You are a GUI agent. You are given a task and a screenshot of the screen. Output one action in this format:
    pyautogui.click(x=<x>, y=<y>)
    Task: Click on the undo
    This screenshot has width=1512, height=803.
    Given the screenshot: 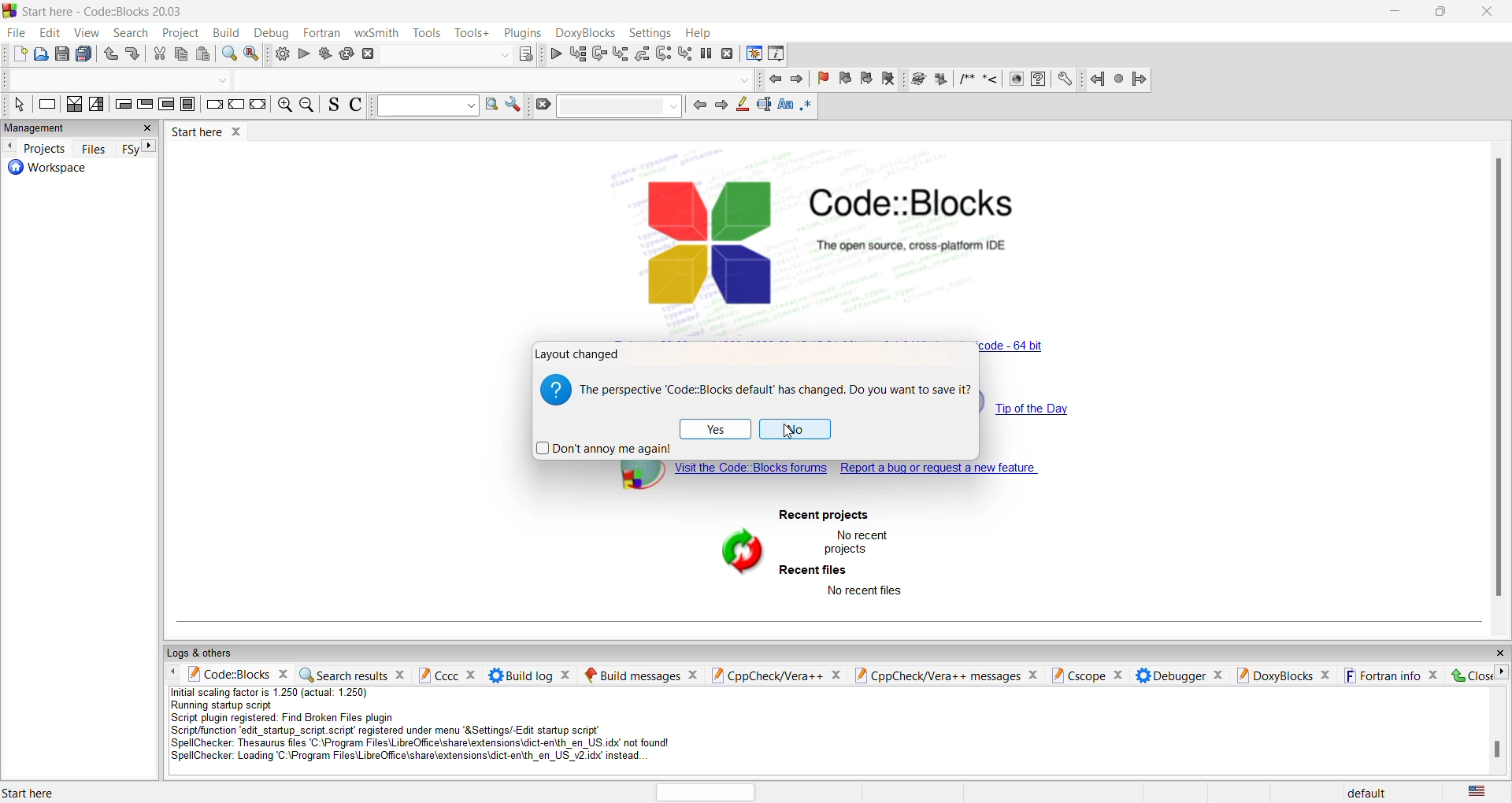 What is the action you would take?
    pyautogui.click(x=110, y=55)
    